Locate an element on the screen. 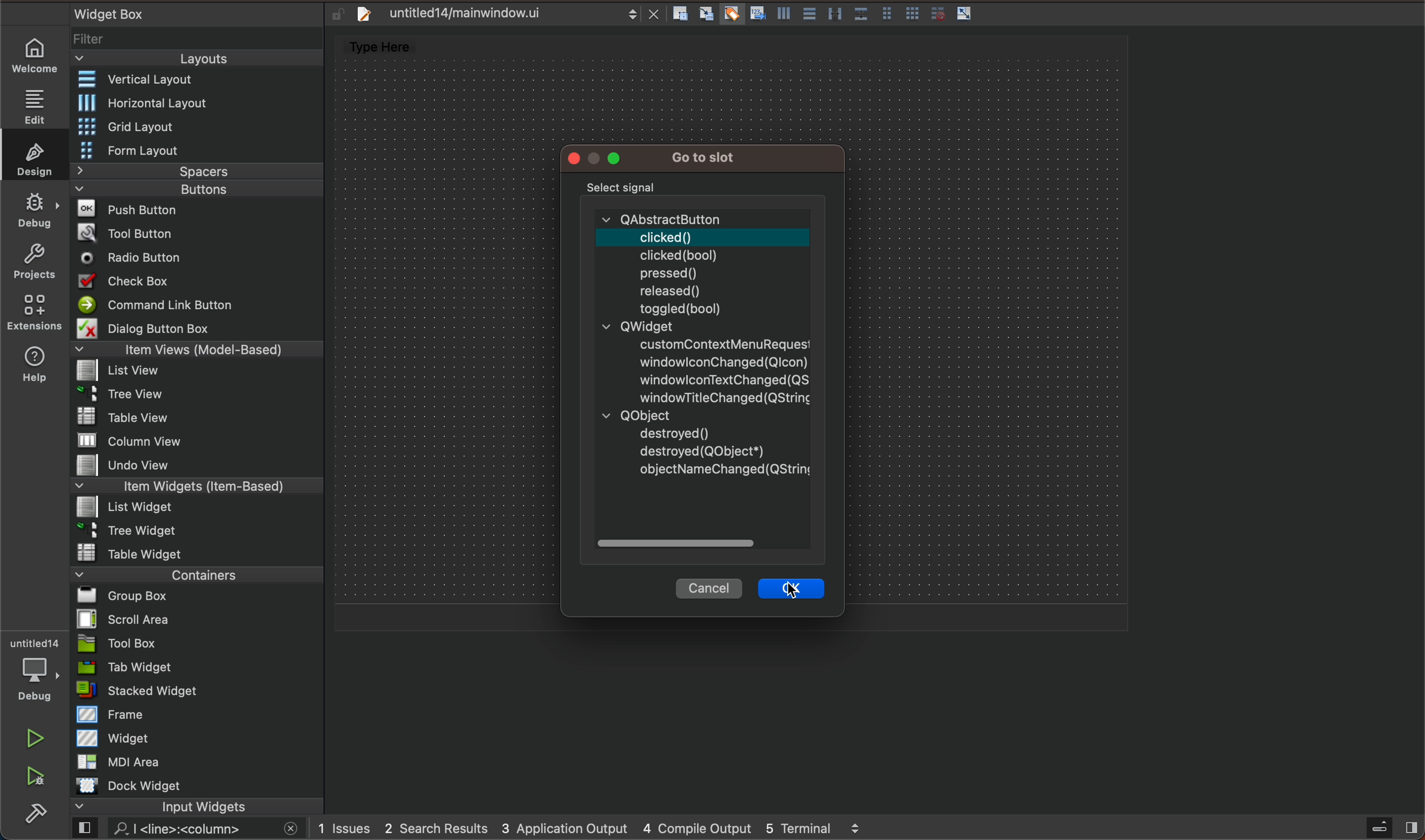  Qobject is located at coordinates (695, 448).